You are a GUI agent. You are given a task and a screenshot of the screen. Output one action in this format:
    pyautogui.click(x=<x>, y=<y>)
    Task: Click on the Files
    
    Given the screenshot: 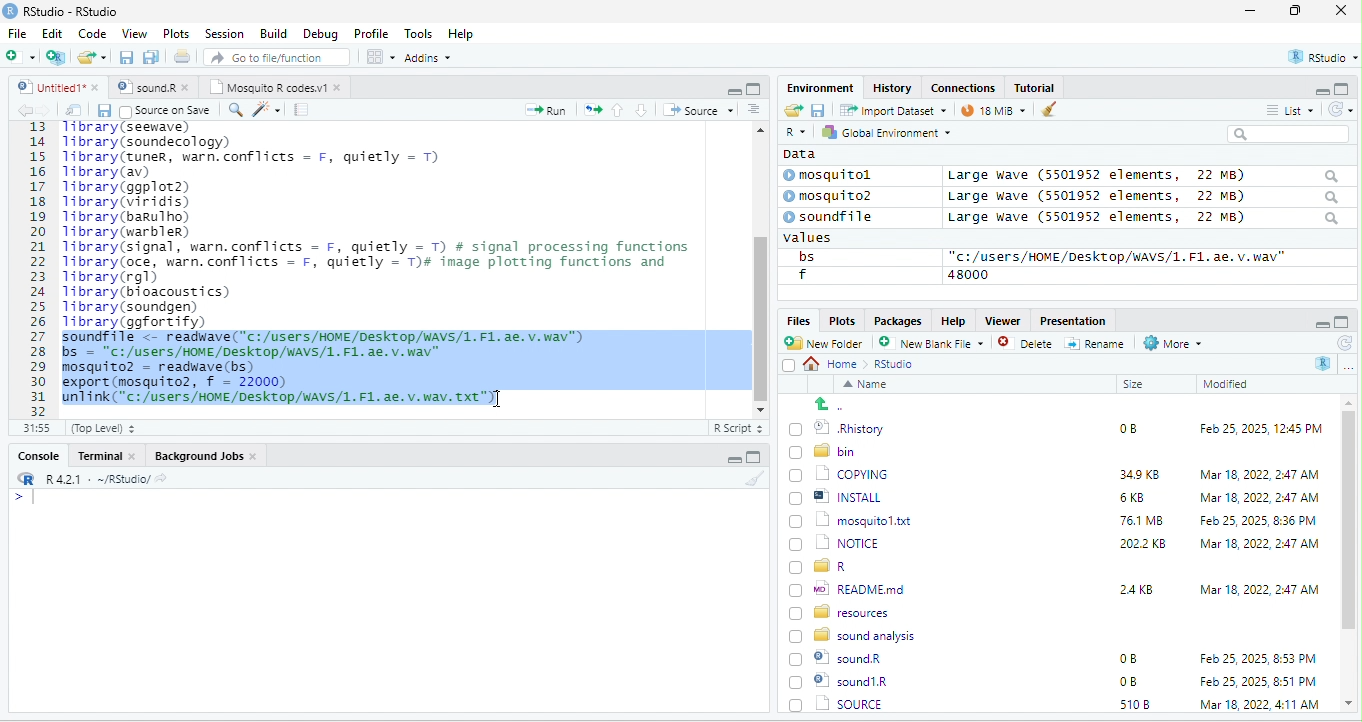 What is the action you would take?
    pyautogui.click(x=795, y=320)
    